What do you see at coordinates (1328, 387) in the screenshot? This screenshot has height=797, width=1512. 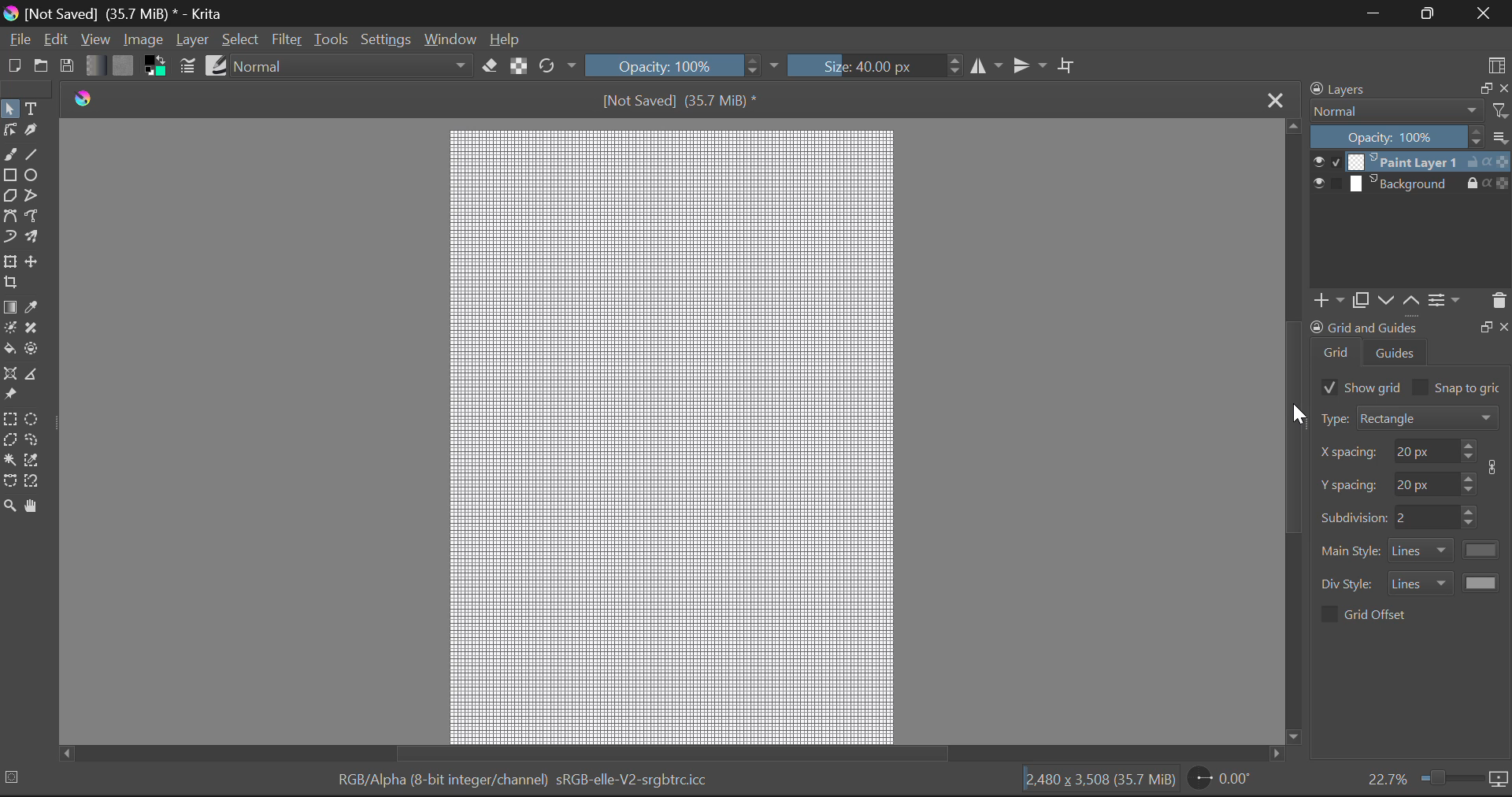 I see `checkbox` at bounding box center [1328, 387].